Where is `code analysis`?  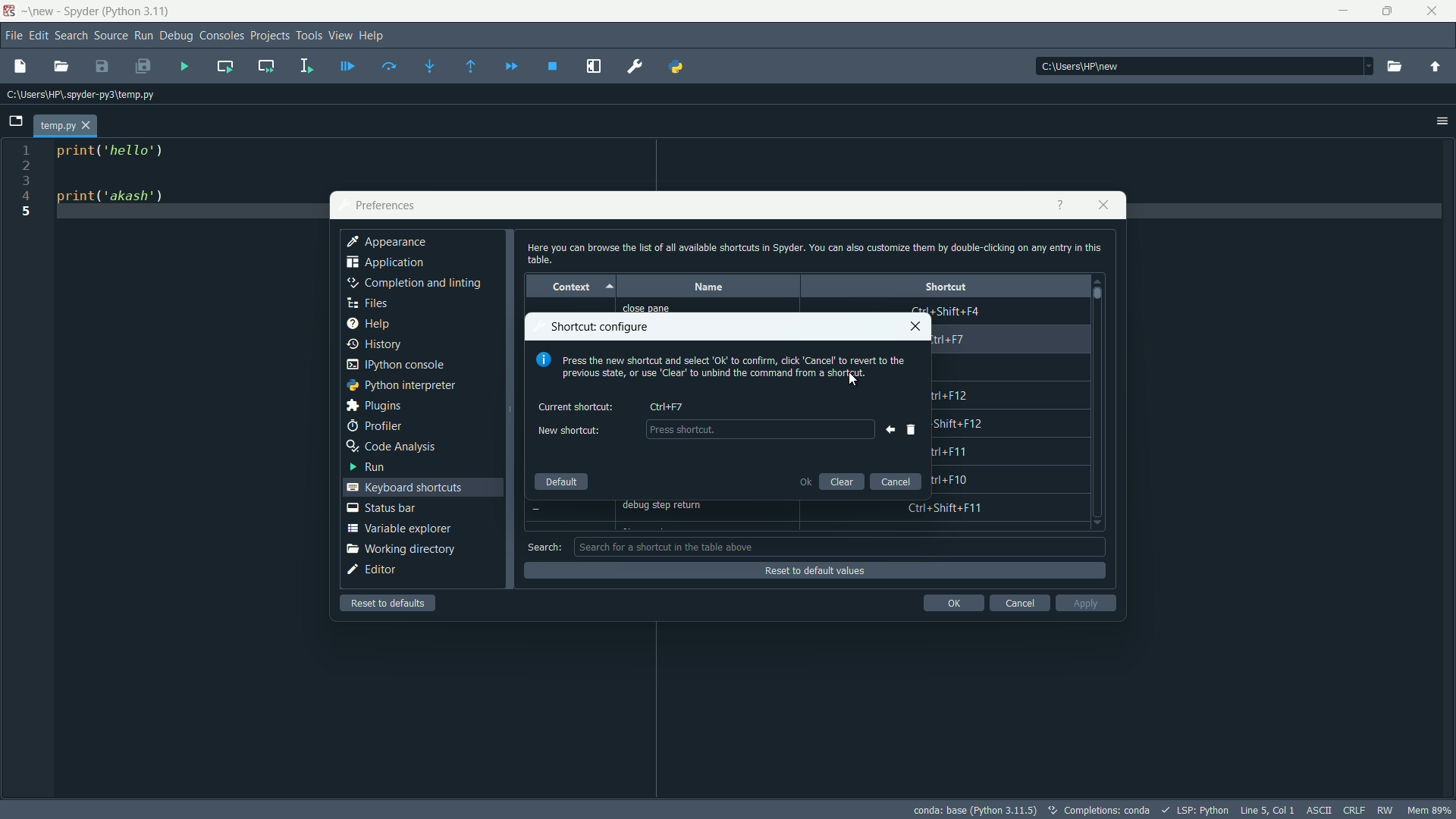 code analysis is located at coordinates (391, 447).